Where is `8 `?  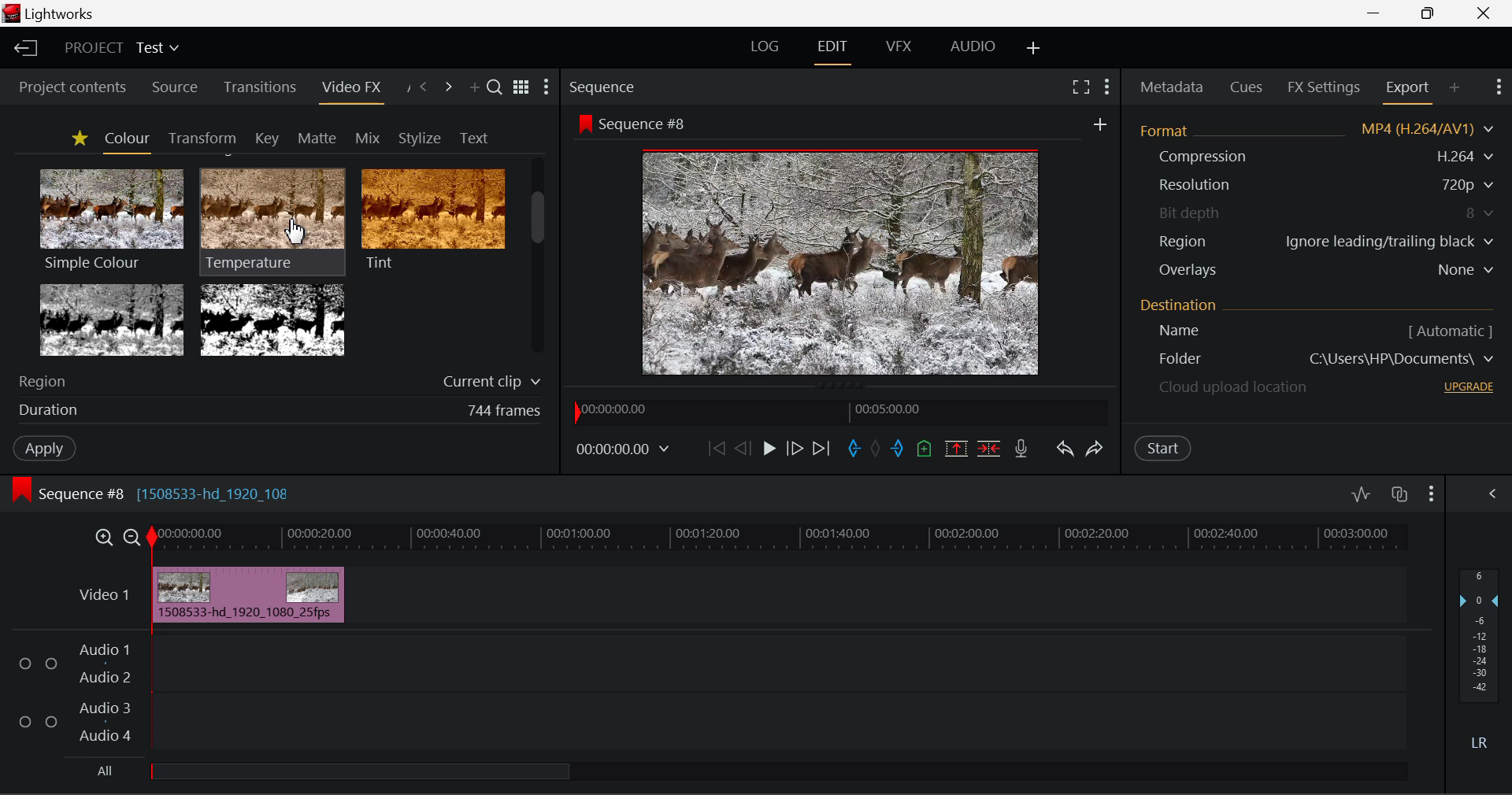
8  is located at coordinates (1481, 213).